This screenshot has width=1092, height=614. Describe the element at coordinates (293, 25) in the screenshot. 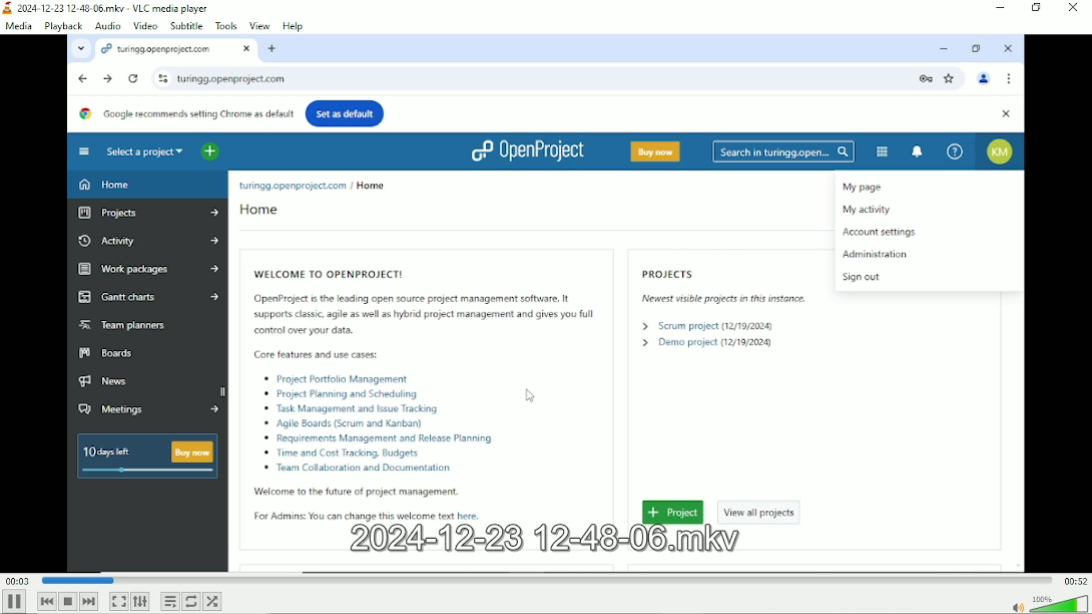

I see `Help` at that location.